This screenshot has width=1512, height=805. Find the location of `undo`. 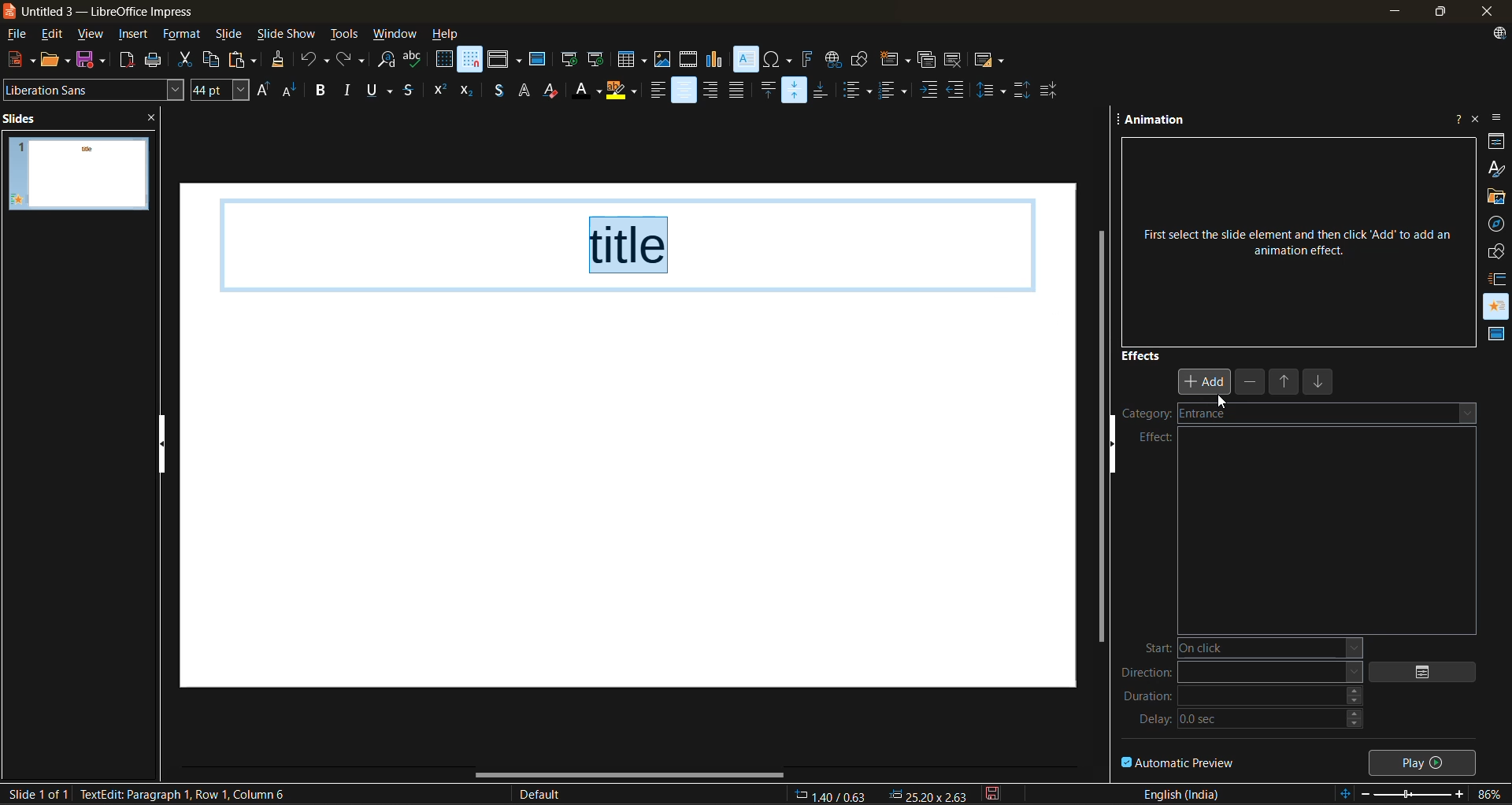

undo is located at coordinates (313, 61).